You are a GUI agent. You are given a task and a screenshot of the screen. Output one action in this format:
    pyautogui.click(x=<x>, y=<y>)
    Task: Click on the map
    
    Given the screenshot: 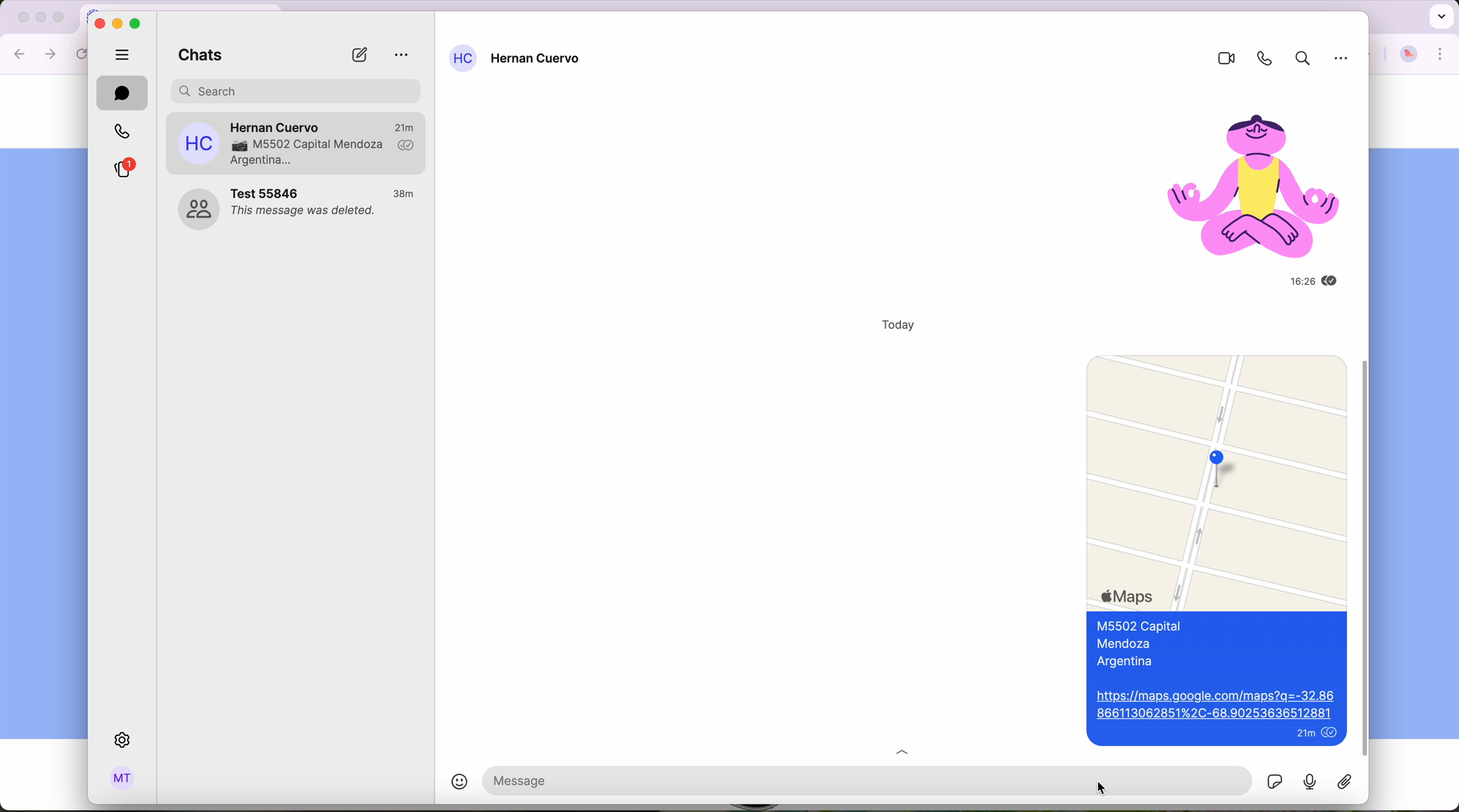 What is the action you would take?
    pyautogui.click(x=1216, y=479)
    